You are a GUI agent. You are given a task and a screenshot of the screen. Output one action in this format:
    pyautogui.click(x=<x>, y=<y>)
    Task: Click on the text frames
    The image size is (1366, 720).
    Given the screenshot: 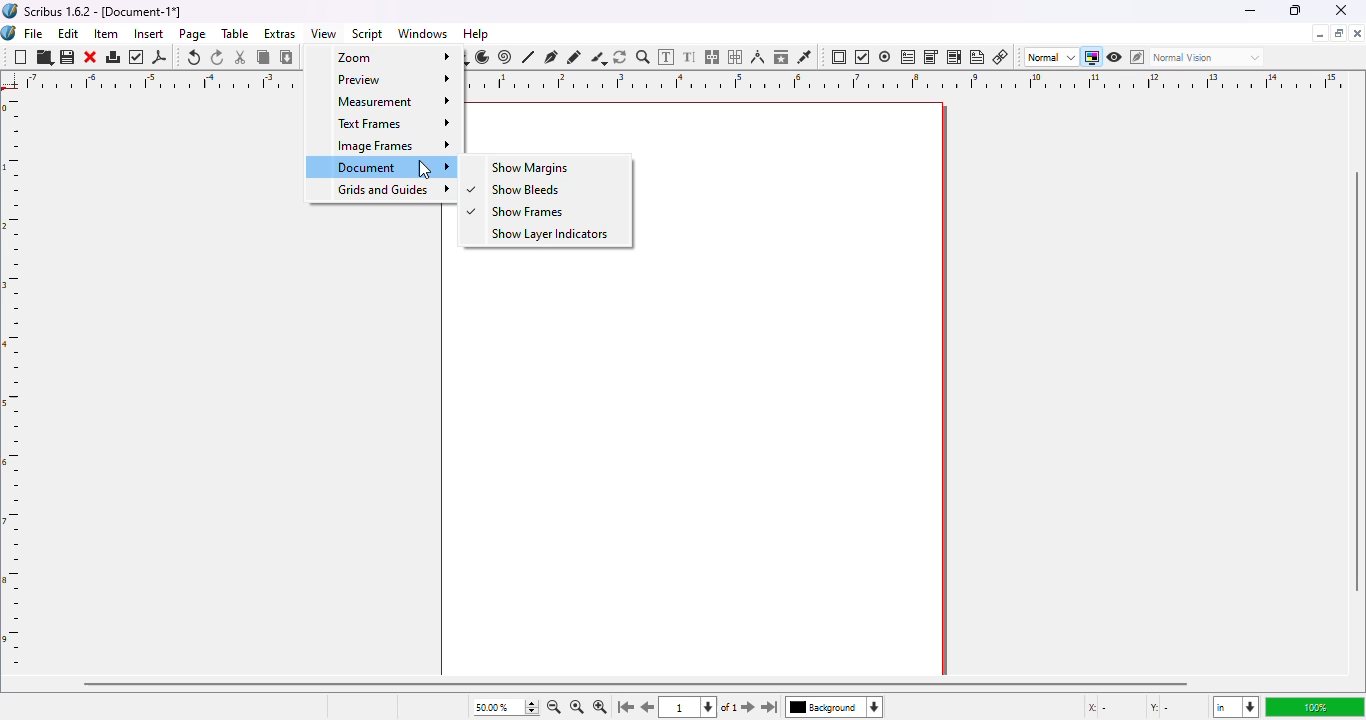 What is the action you would take?
    pyautogui.click(x=382, y=123)
    